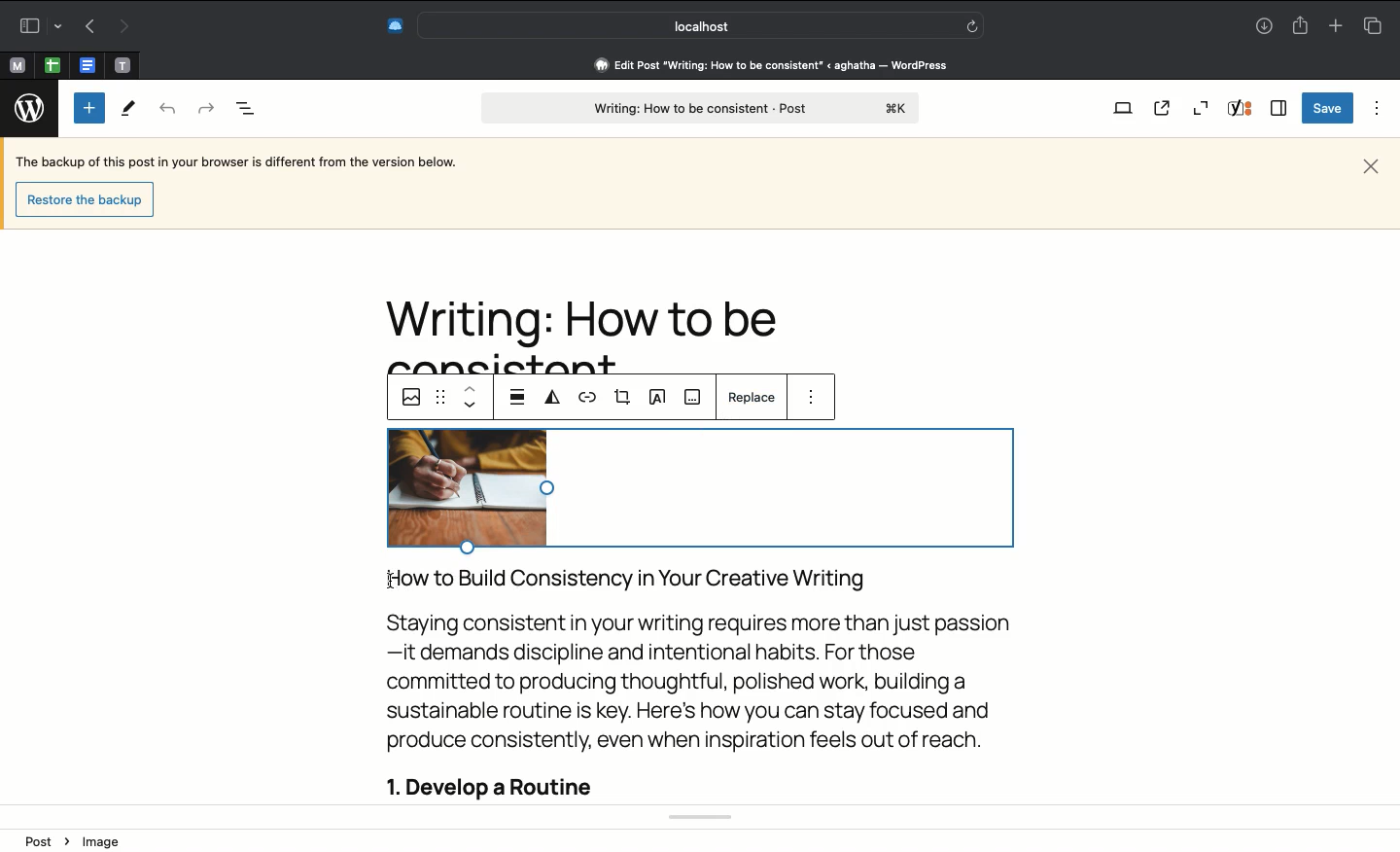  What do you see at coordinates (752, 394) in the screenshot?
I see `Replace` at bounding box center [752, 394].